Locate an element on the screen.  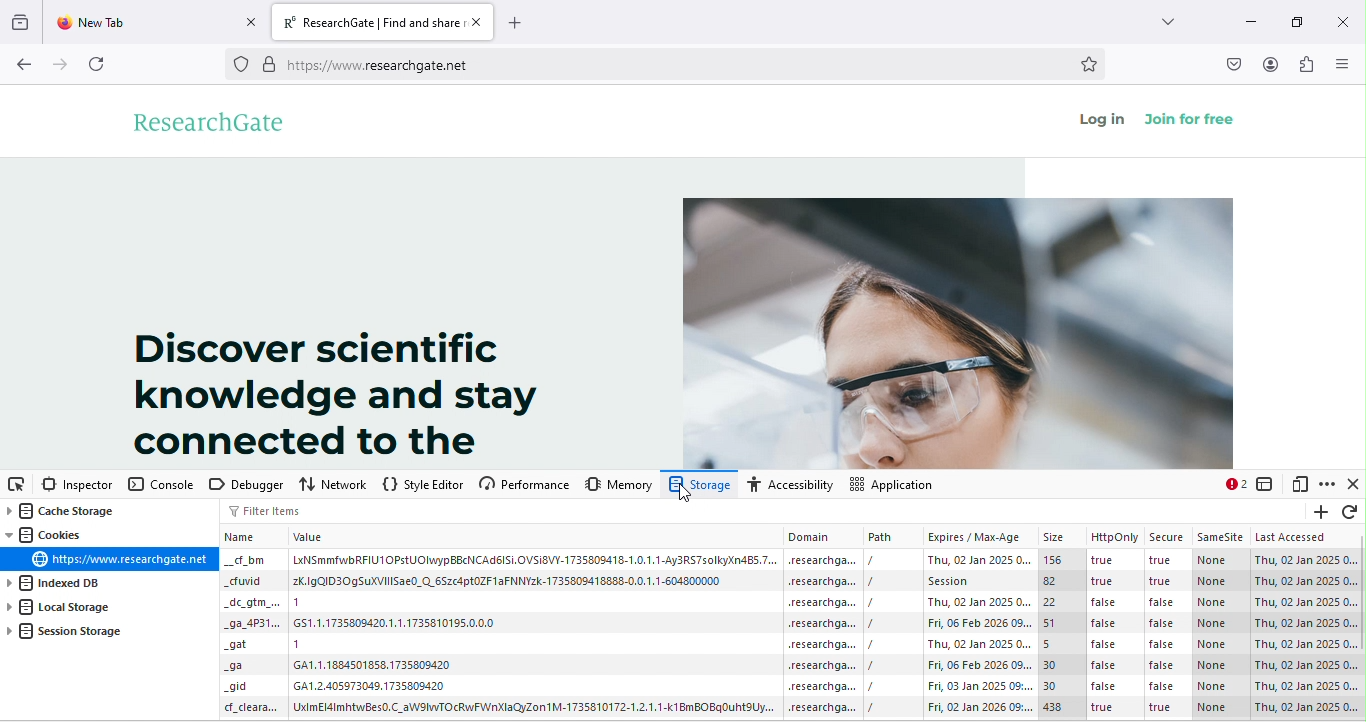
domain is located at coordinates (822, 687).